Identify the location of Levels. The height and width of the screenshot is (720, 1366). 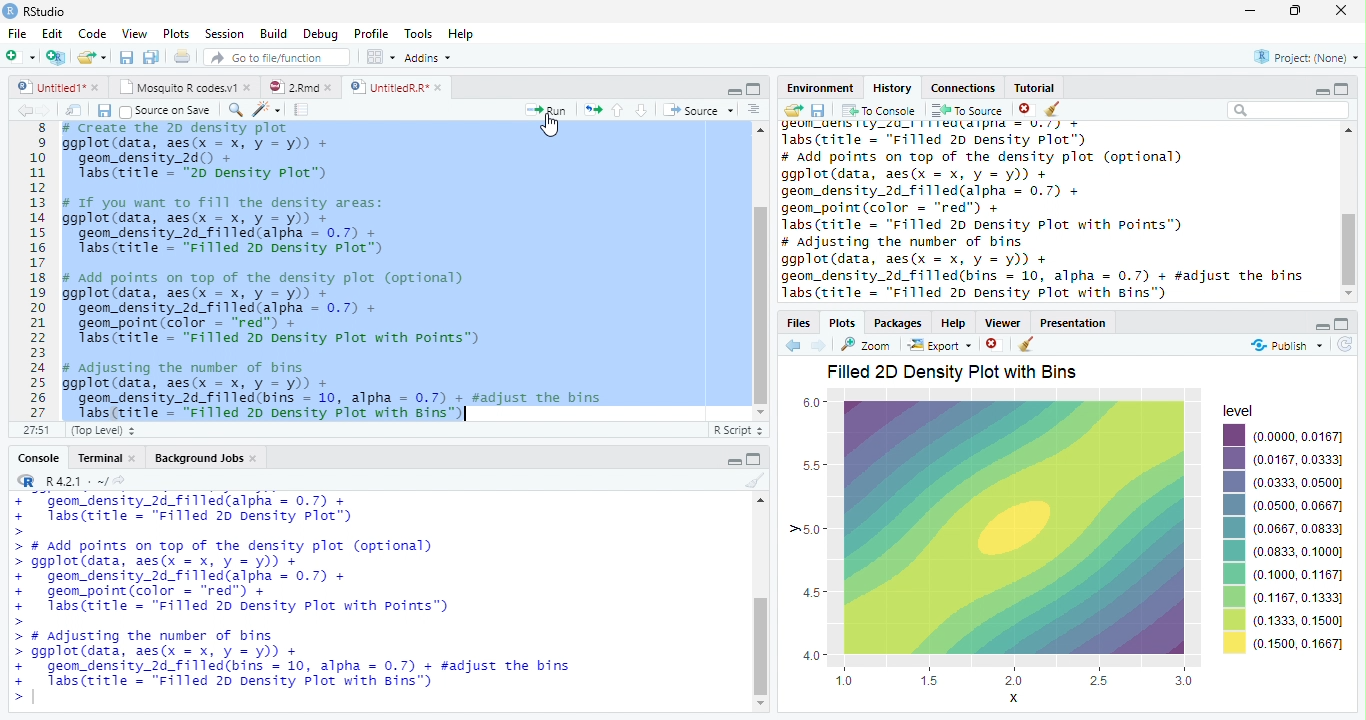
(1235, 539).